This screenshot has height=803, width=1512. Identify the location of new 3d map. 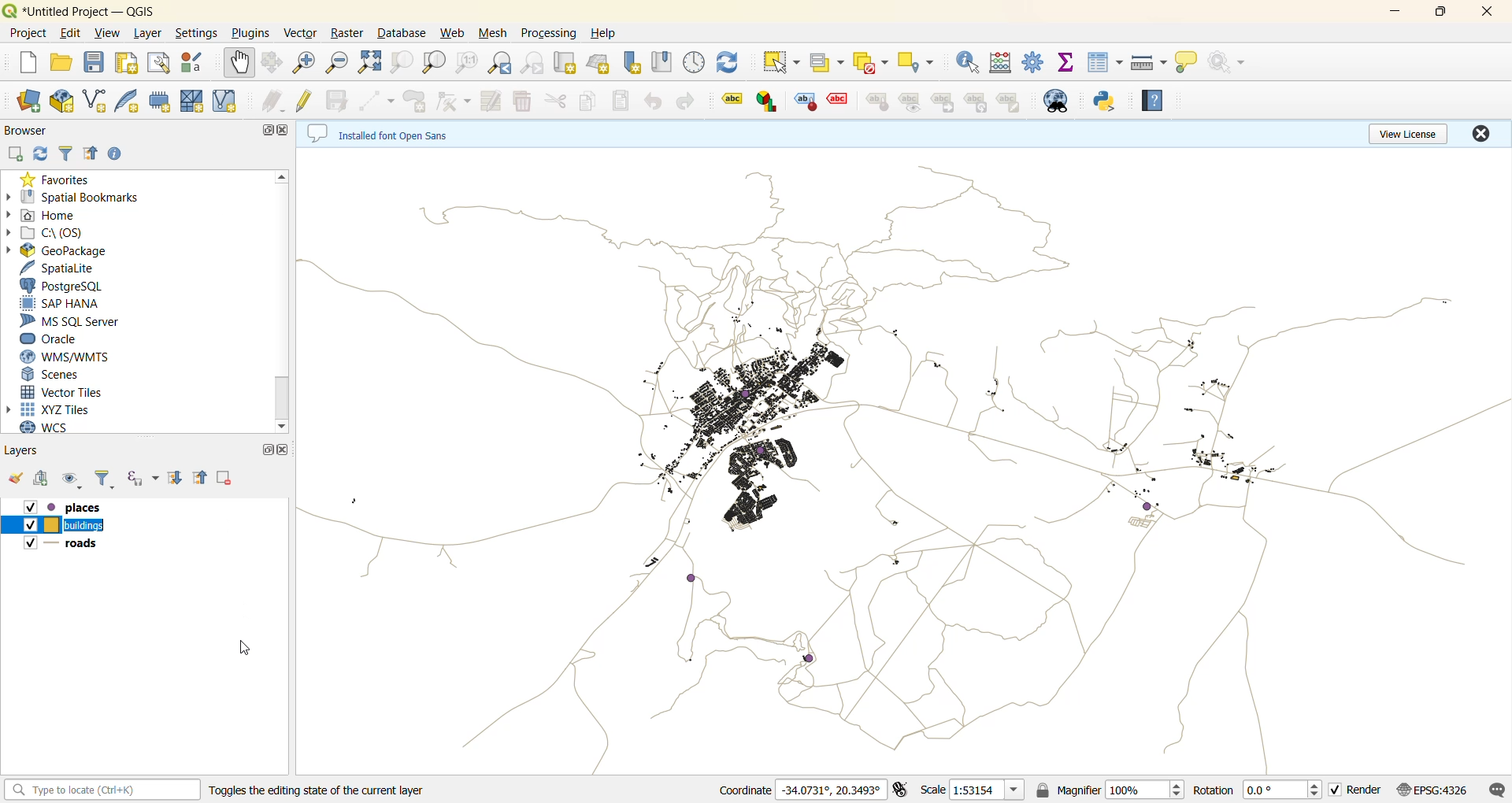
(599, 63).